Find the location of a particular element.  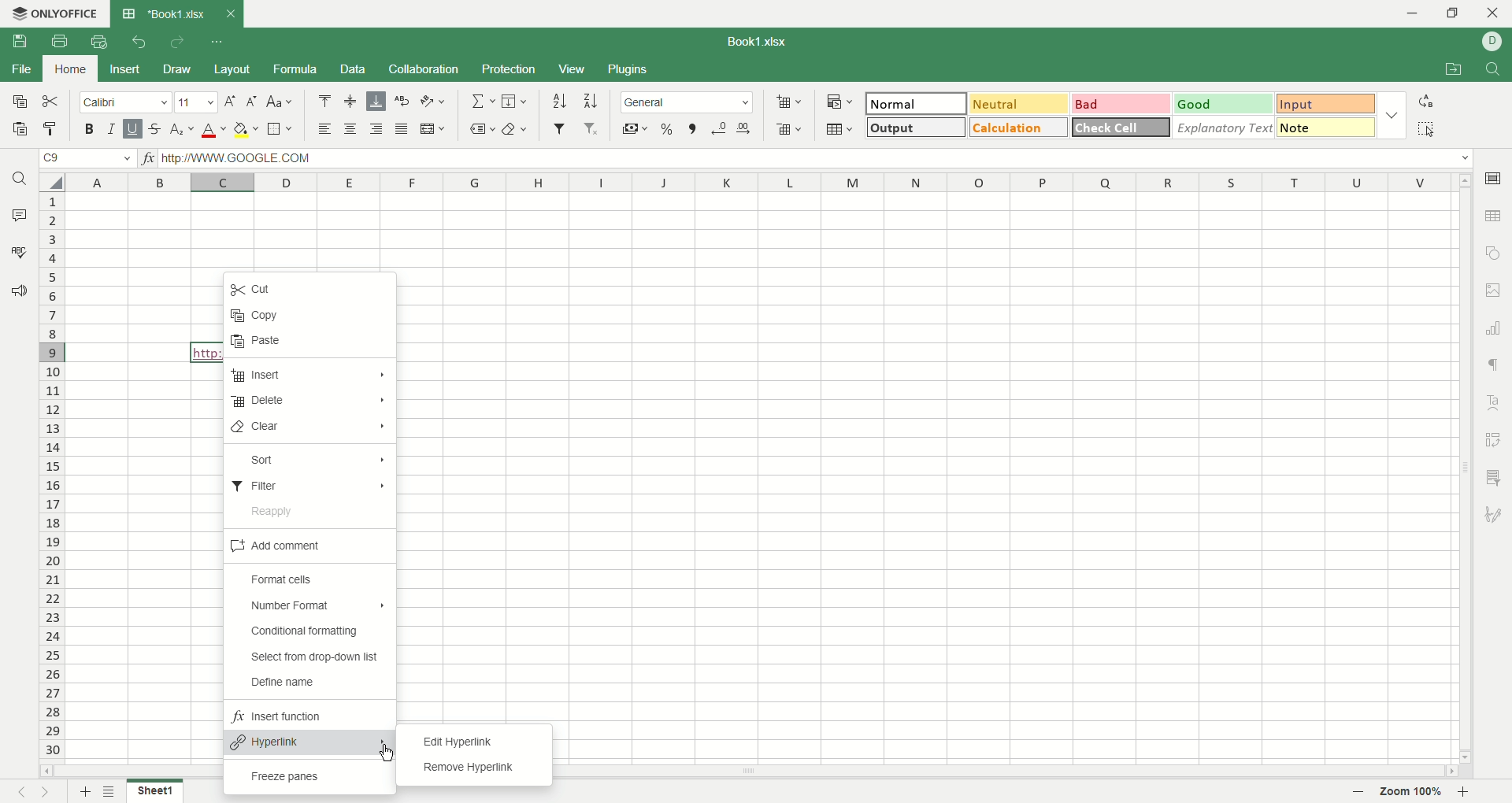

justified is located at coordinates (402, 129).